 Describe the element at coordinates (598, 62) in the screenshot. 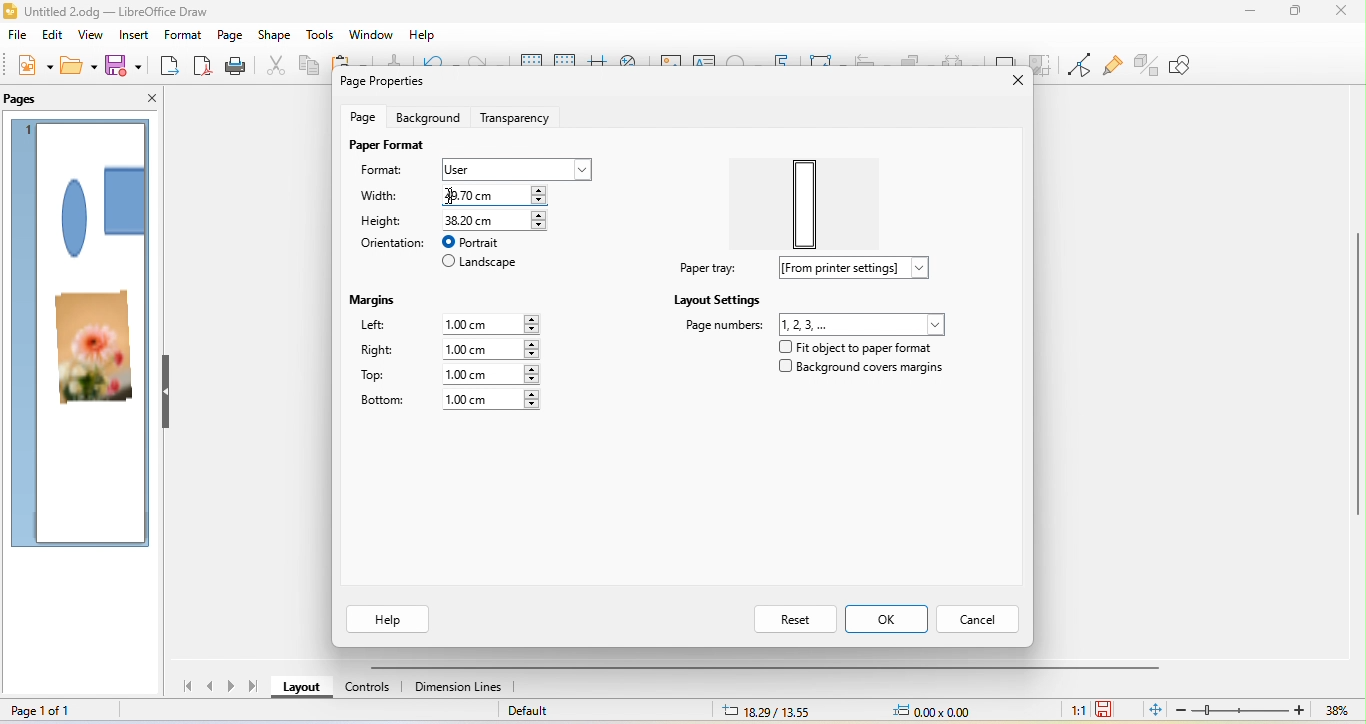

I see `helpline while moving` at that location.